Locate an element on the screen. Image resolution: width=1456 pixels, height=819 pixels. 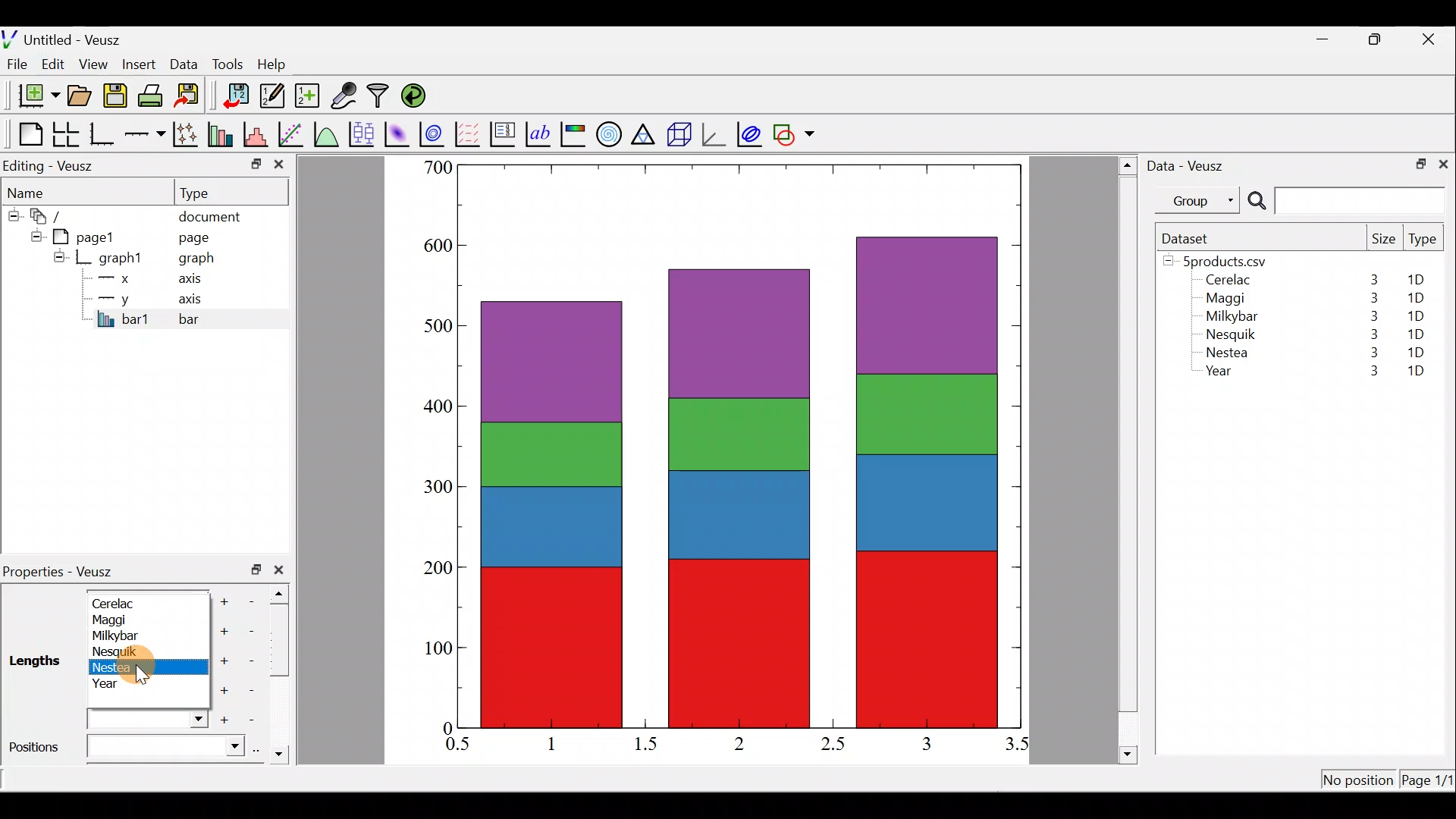
Tools is located at coordinates (227, 63).